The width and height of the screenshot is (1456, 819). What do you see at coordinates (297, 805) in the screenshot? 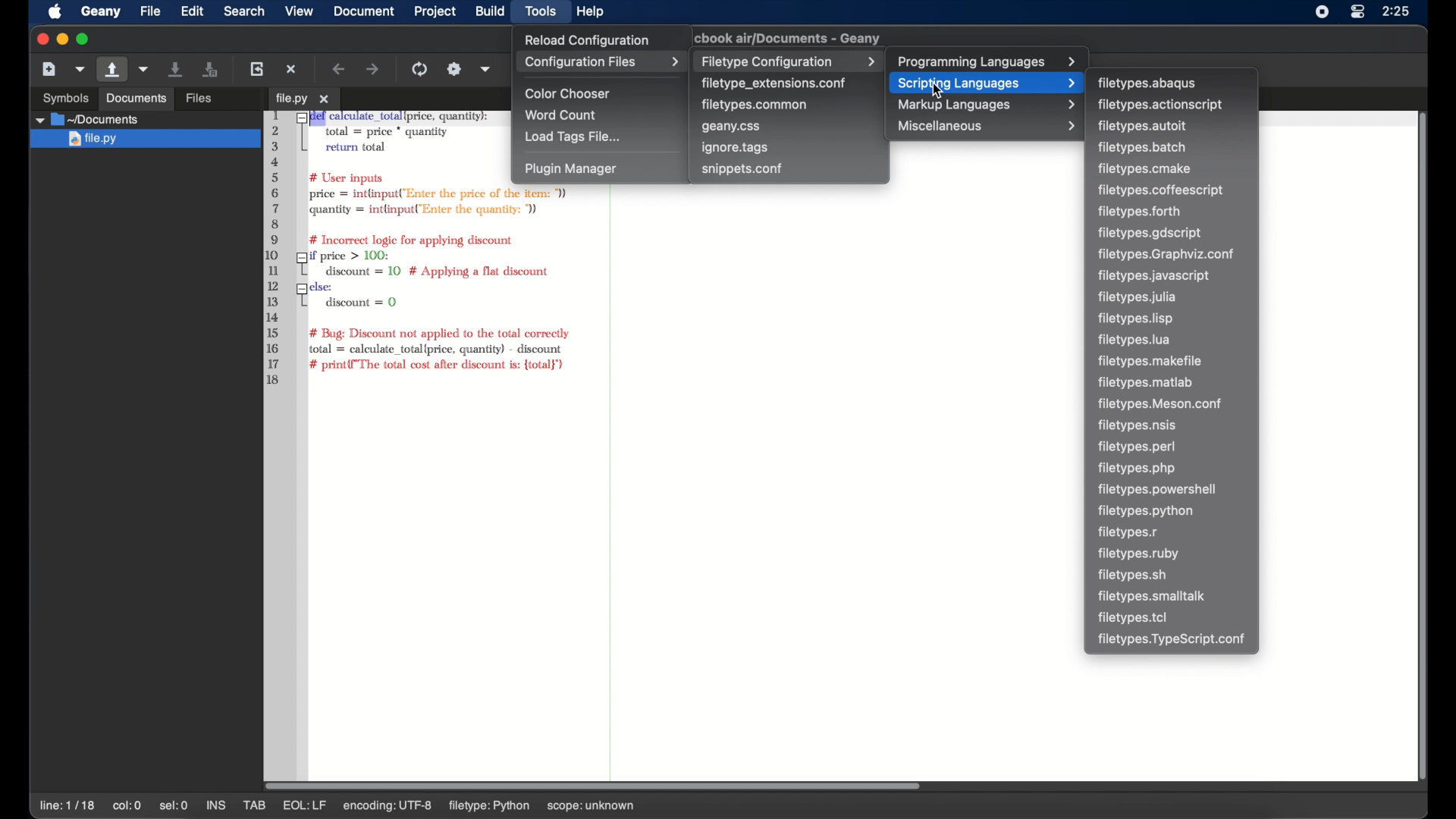
I see `mod` at bounding box center [297, 805].